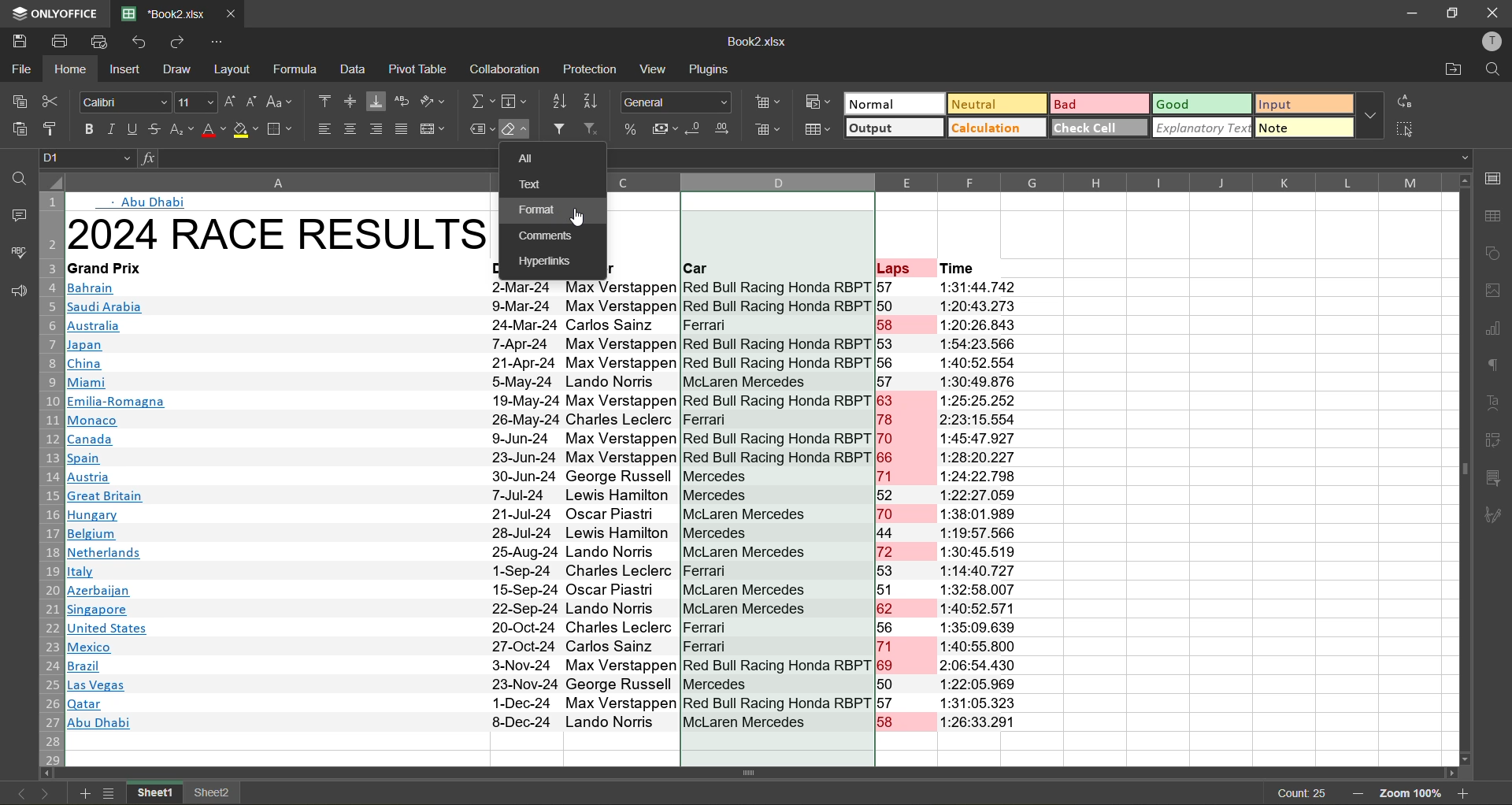 The image size is (1512, 805). I want to click on align right, so click(375, 129).